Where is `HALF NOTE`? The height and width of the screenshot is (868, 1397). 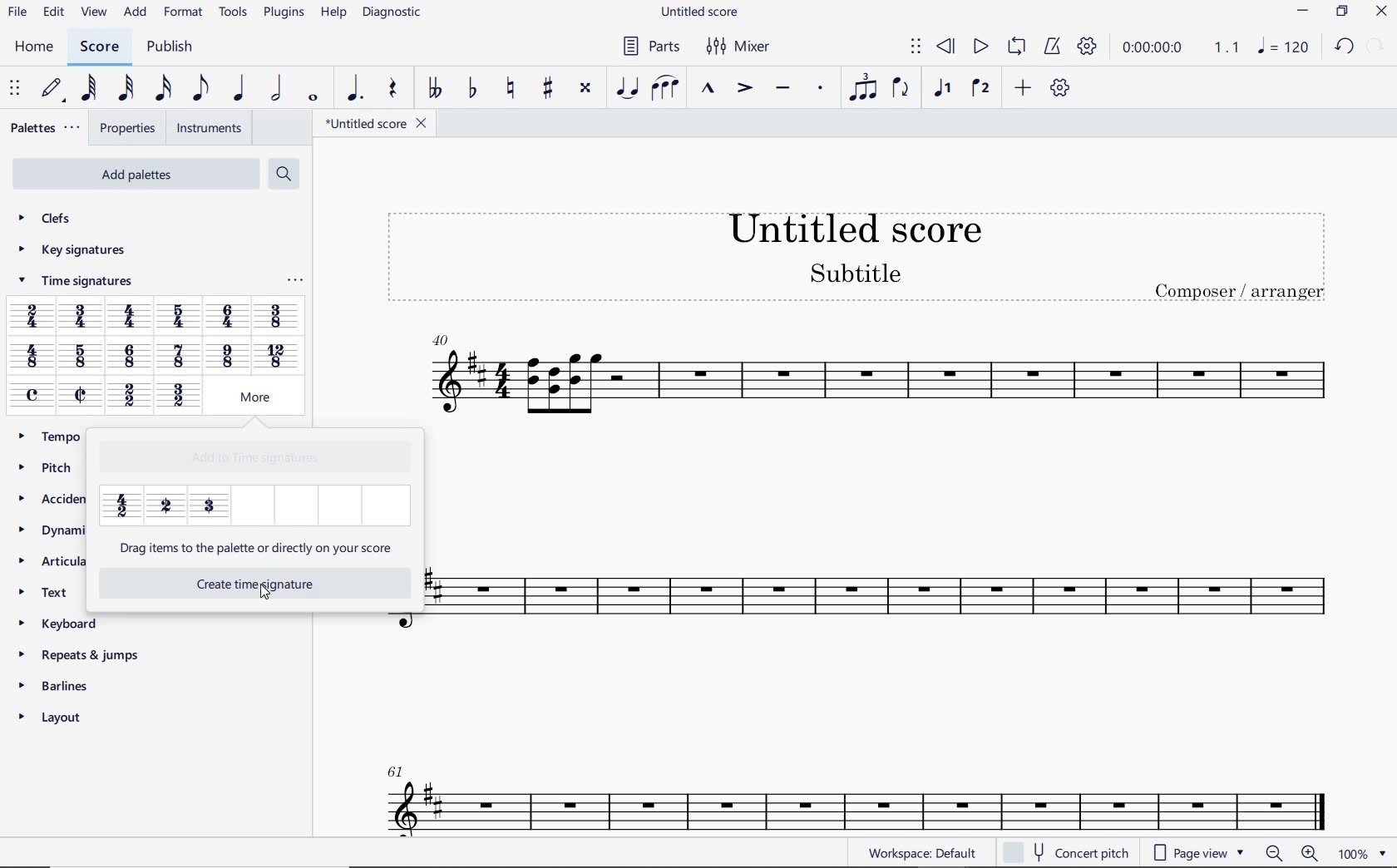
HALF NOTE is located at coordinates (275, 89).